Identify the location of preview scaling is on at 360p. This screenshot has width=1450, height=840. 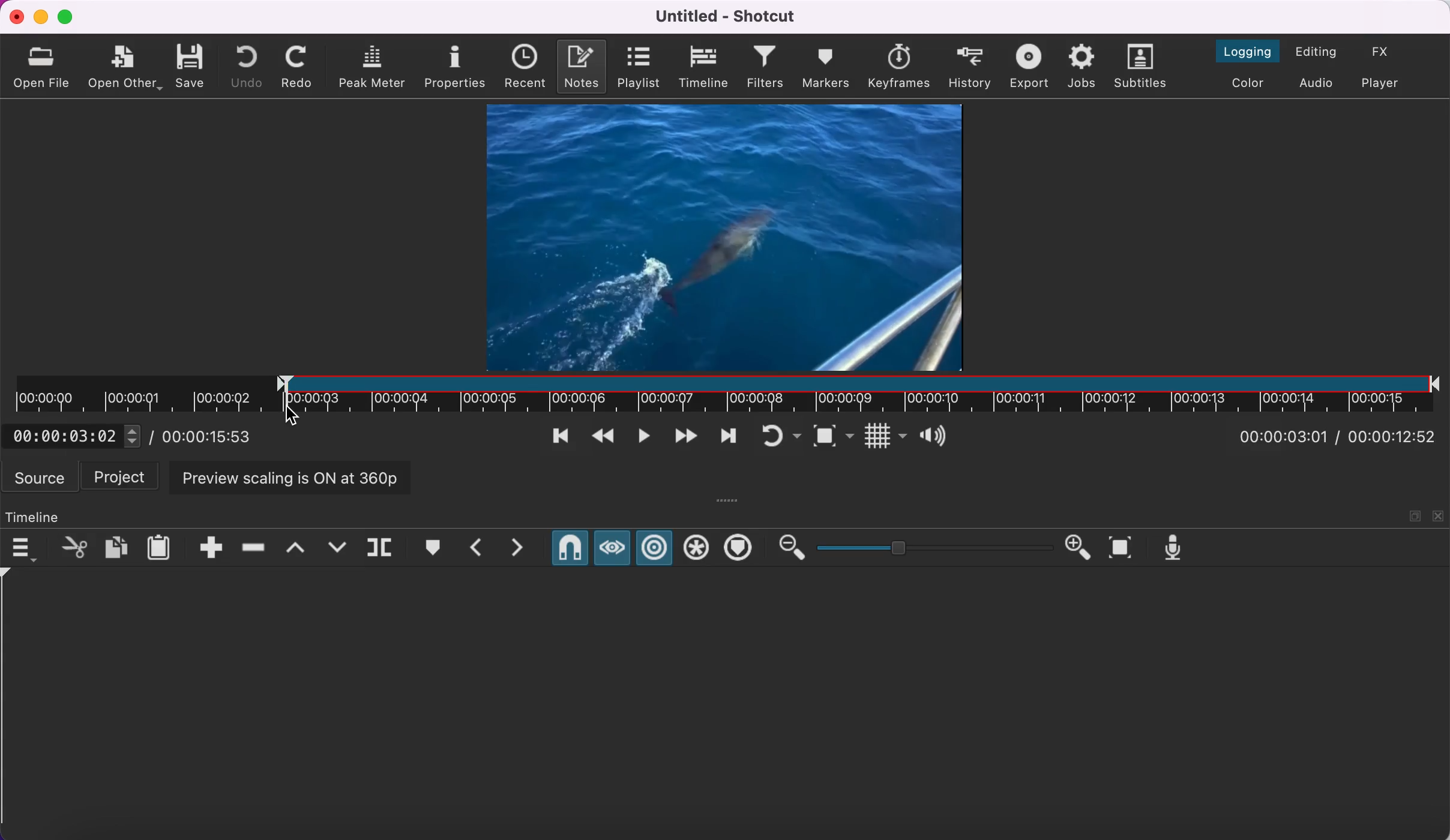
(290, 479).